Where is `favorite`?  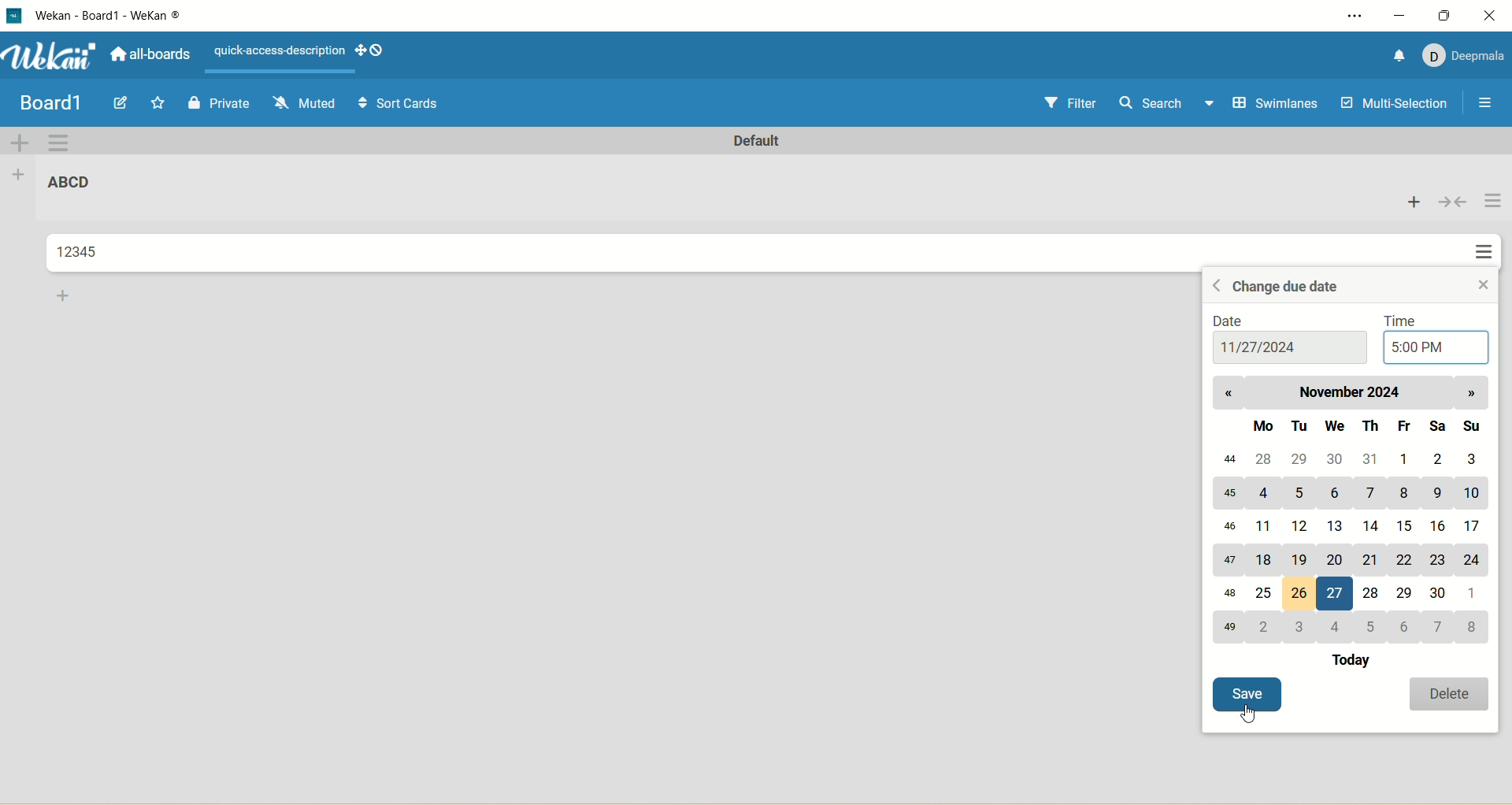 favorite is located at coordinates (159, 102).